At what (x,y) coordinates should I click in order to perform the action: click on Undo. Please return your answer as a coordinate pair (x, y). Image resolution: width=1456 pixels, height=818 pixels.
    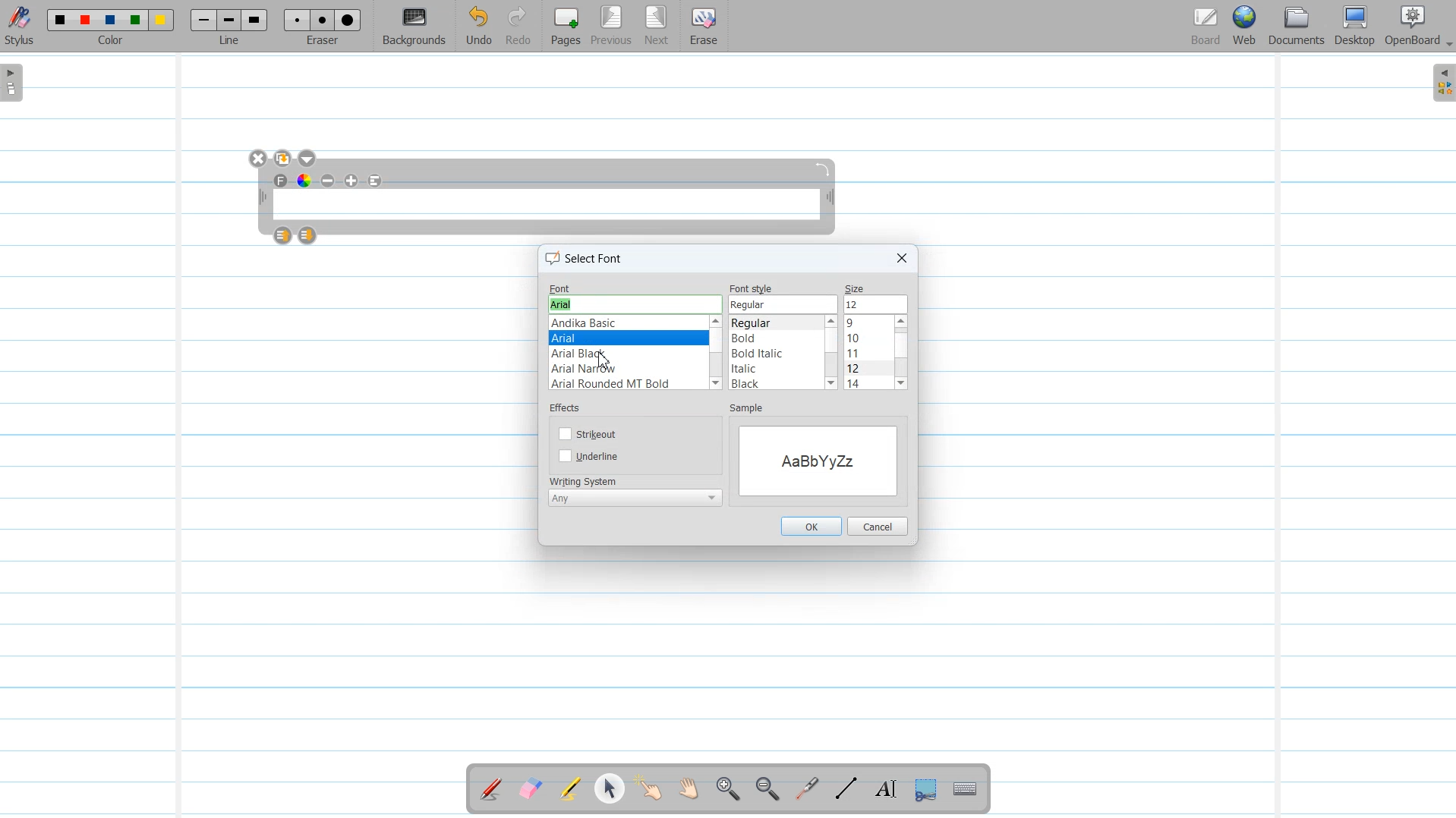
    Looking at the image, I should click on (478, 27).